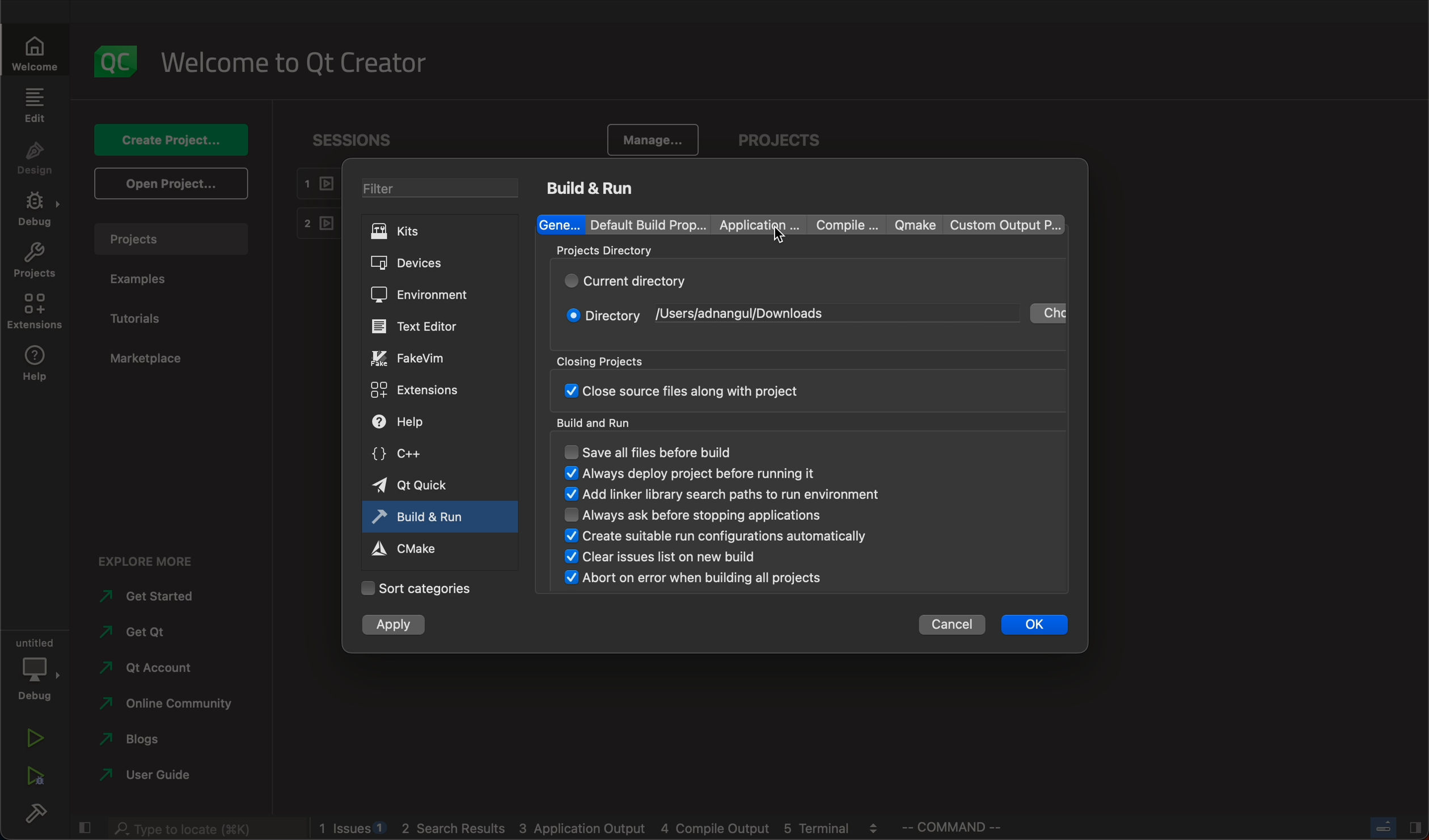  What do you see at coordinates (657, 138) in the screenshot?
I see `manage` at bounding box center [657, 138].